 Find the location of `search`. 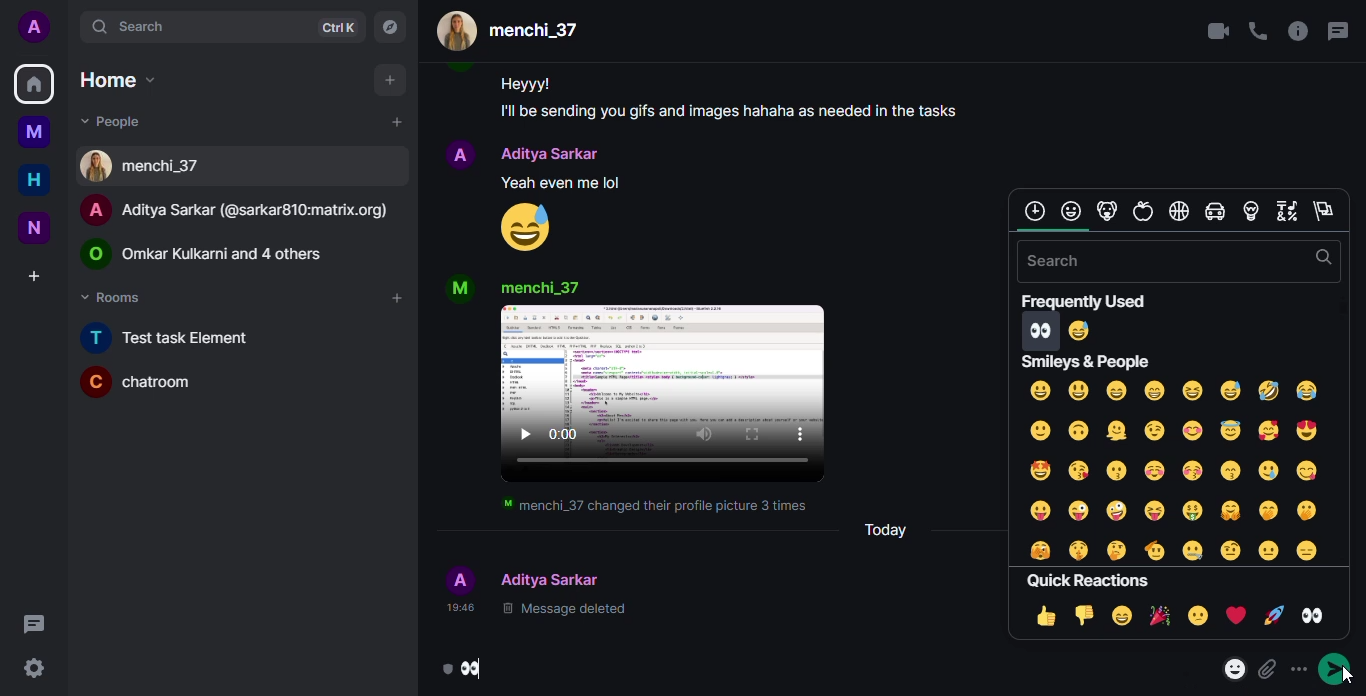

search is located at coordinates (1321, 258).